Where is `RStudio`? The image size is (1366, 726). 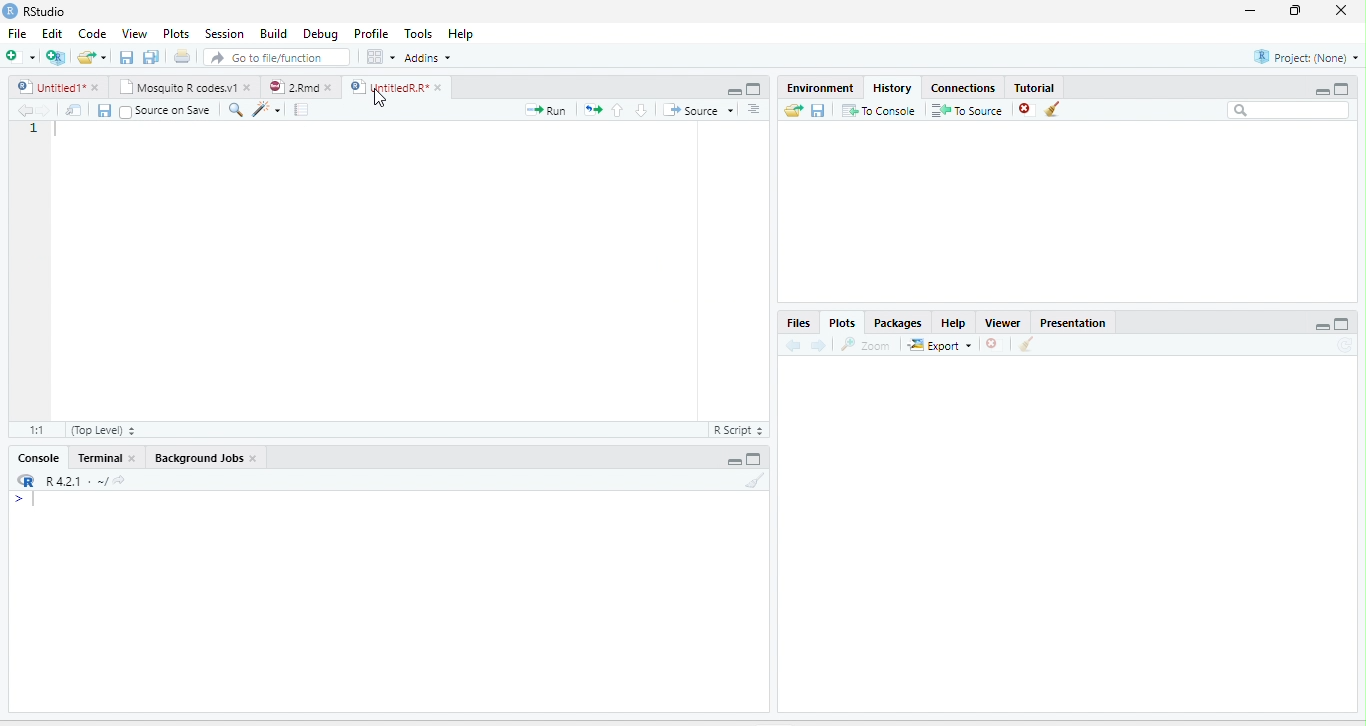
RStudio is located at coordinates (34, 10).